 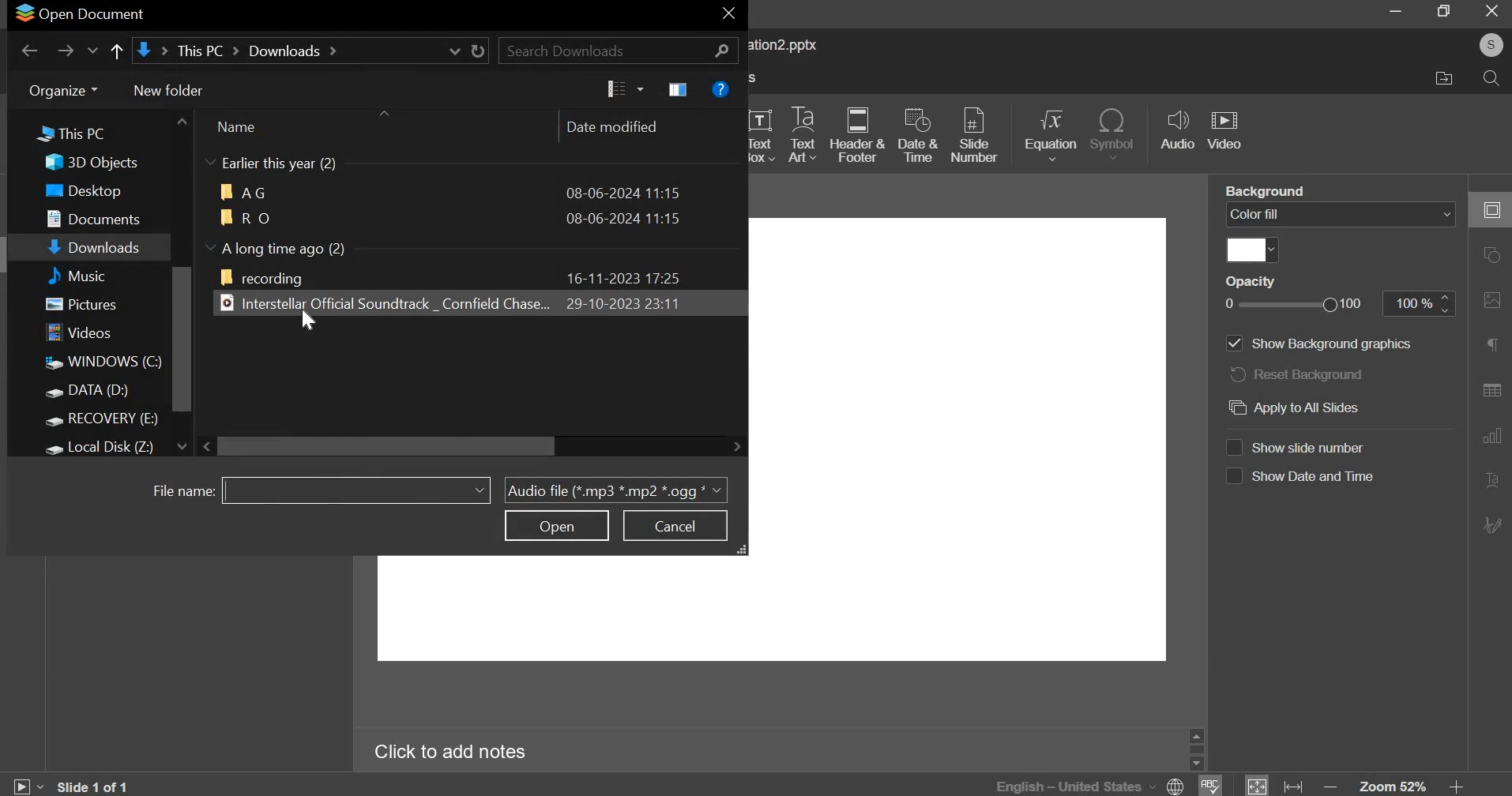 What do you see at coordinates (677, 524) in the screenshot?
I see `cancel` at bounding box center [677, 524].